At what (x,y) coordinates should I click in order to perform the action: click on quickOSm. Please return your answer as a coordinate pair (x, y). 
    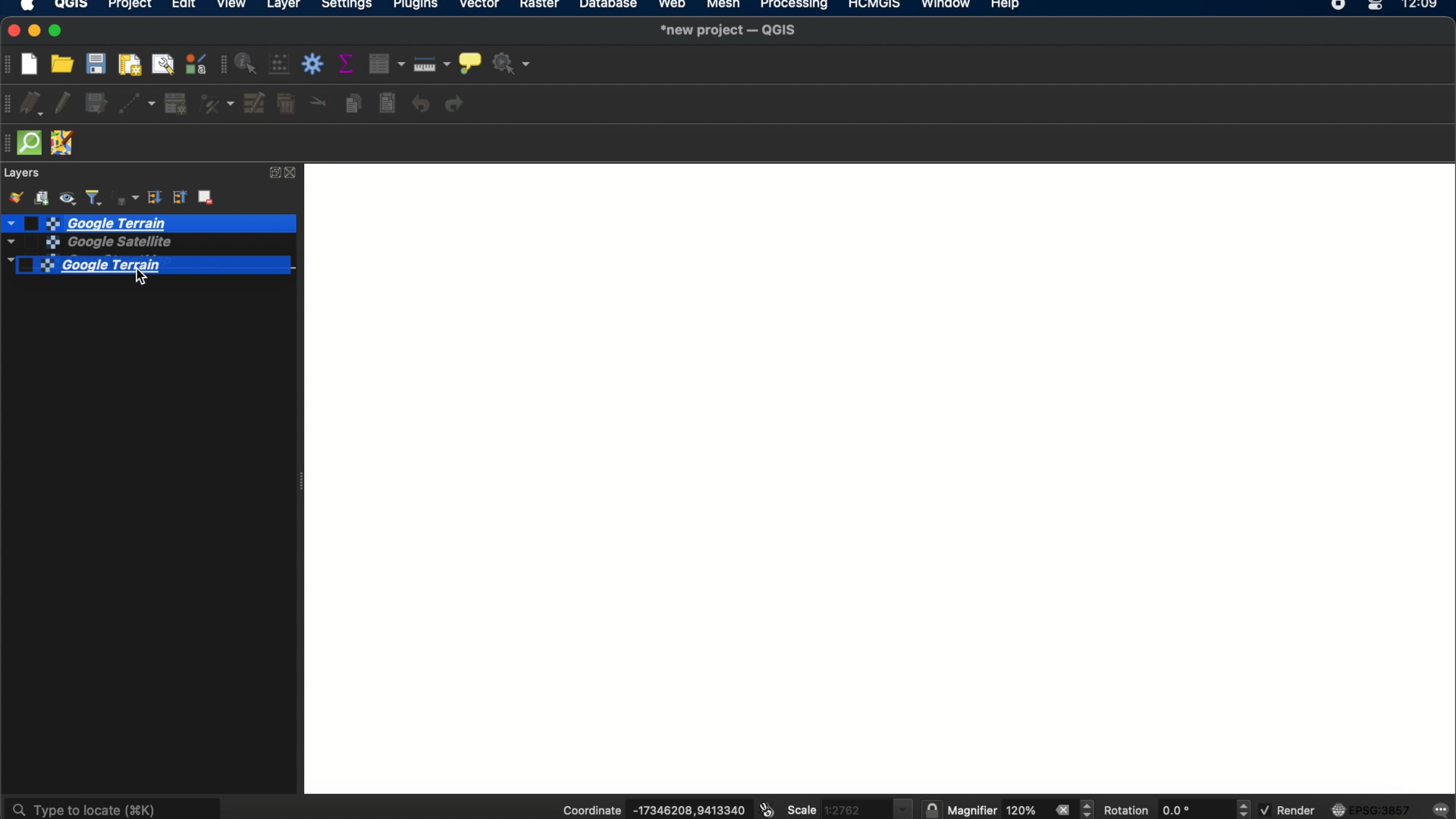
    Looking at the image, I should click on (33, 143).